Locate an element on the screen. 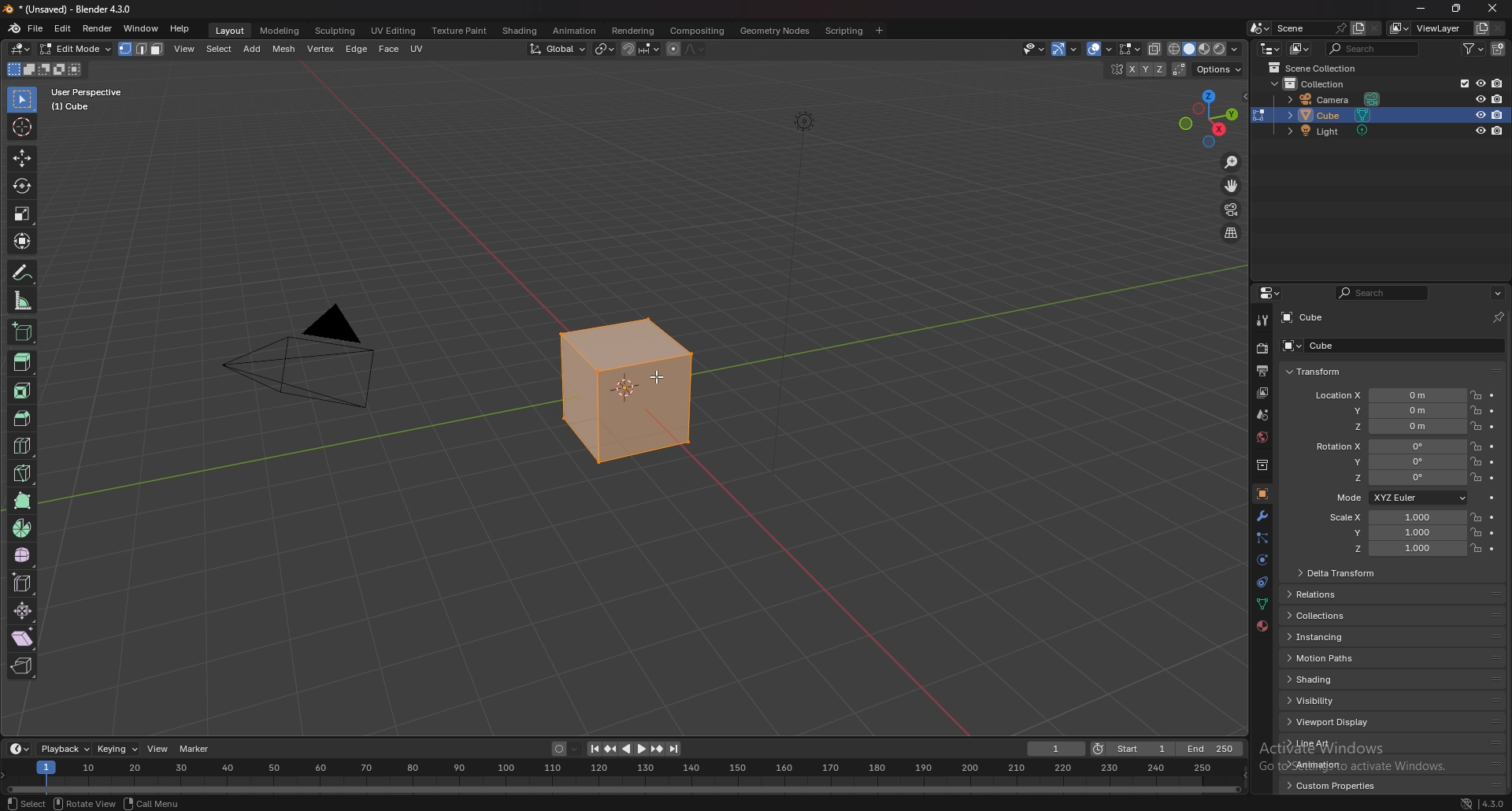 The image size is (1512, 811). knife is located at coordinates (23, 473).